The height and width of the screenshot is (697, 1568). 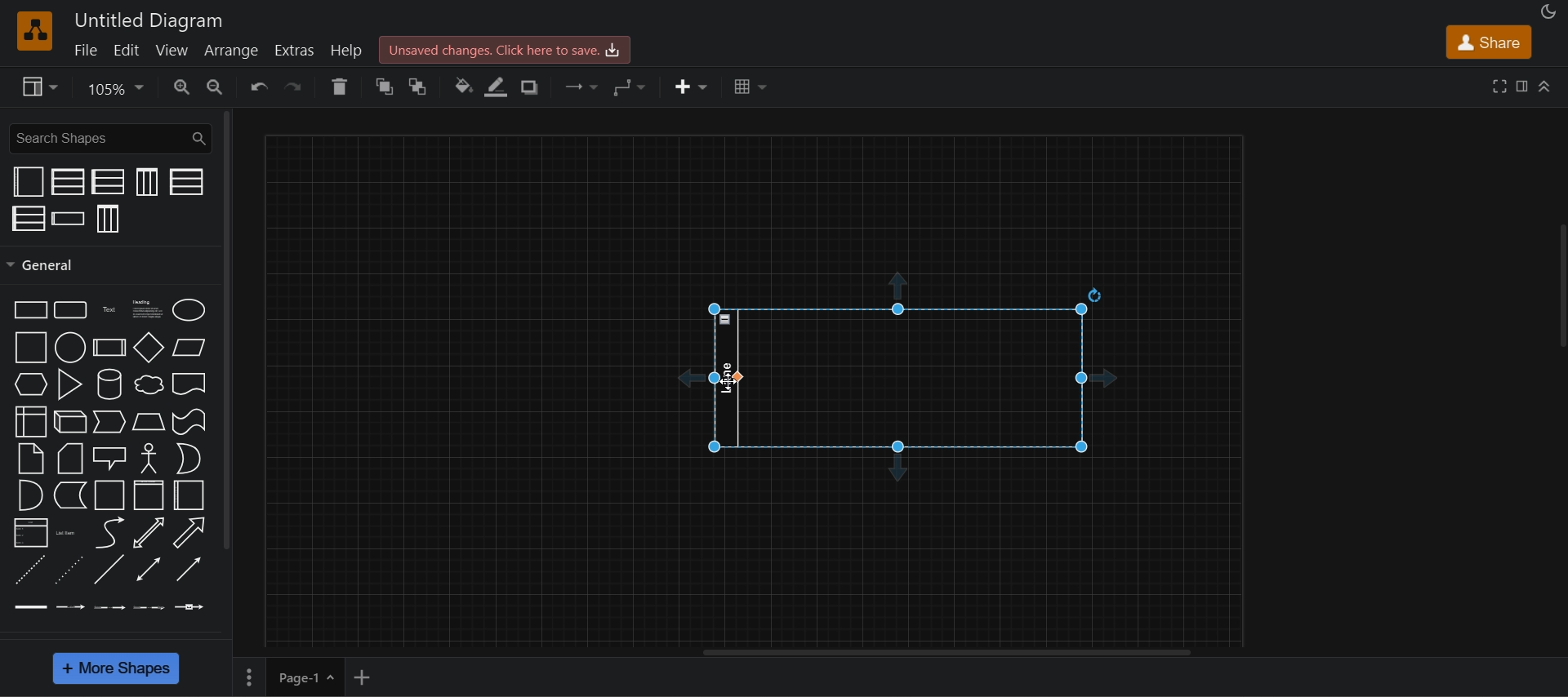 I want to click on internal storage, so click(x=33, y=422).